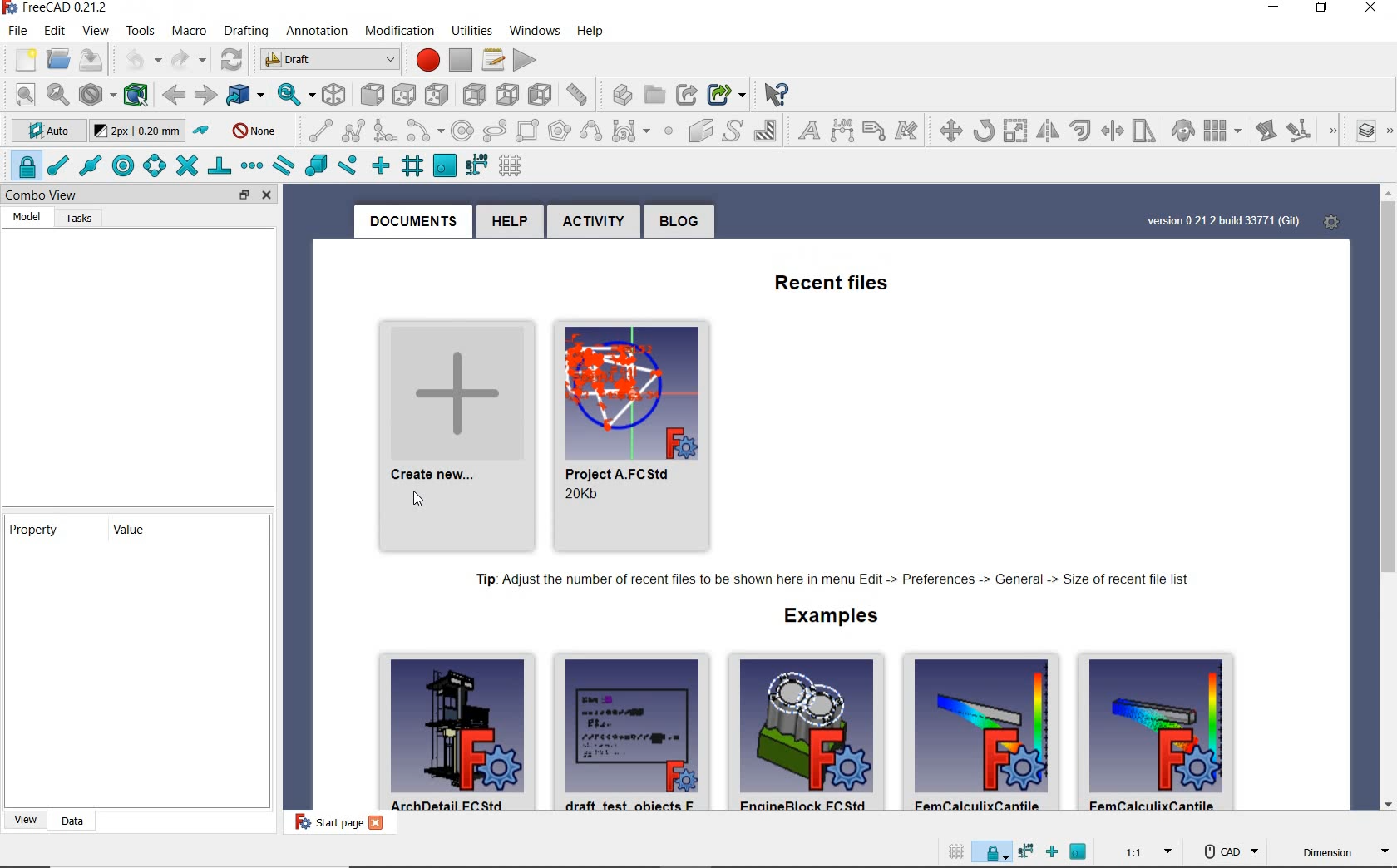 The width and height of the screenshot is (1397, 868). What do you see at coordinates (423, 131) in the screenshot?
I see `arc tools` at bounding box center [423, 131].